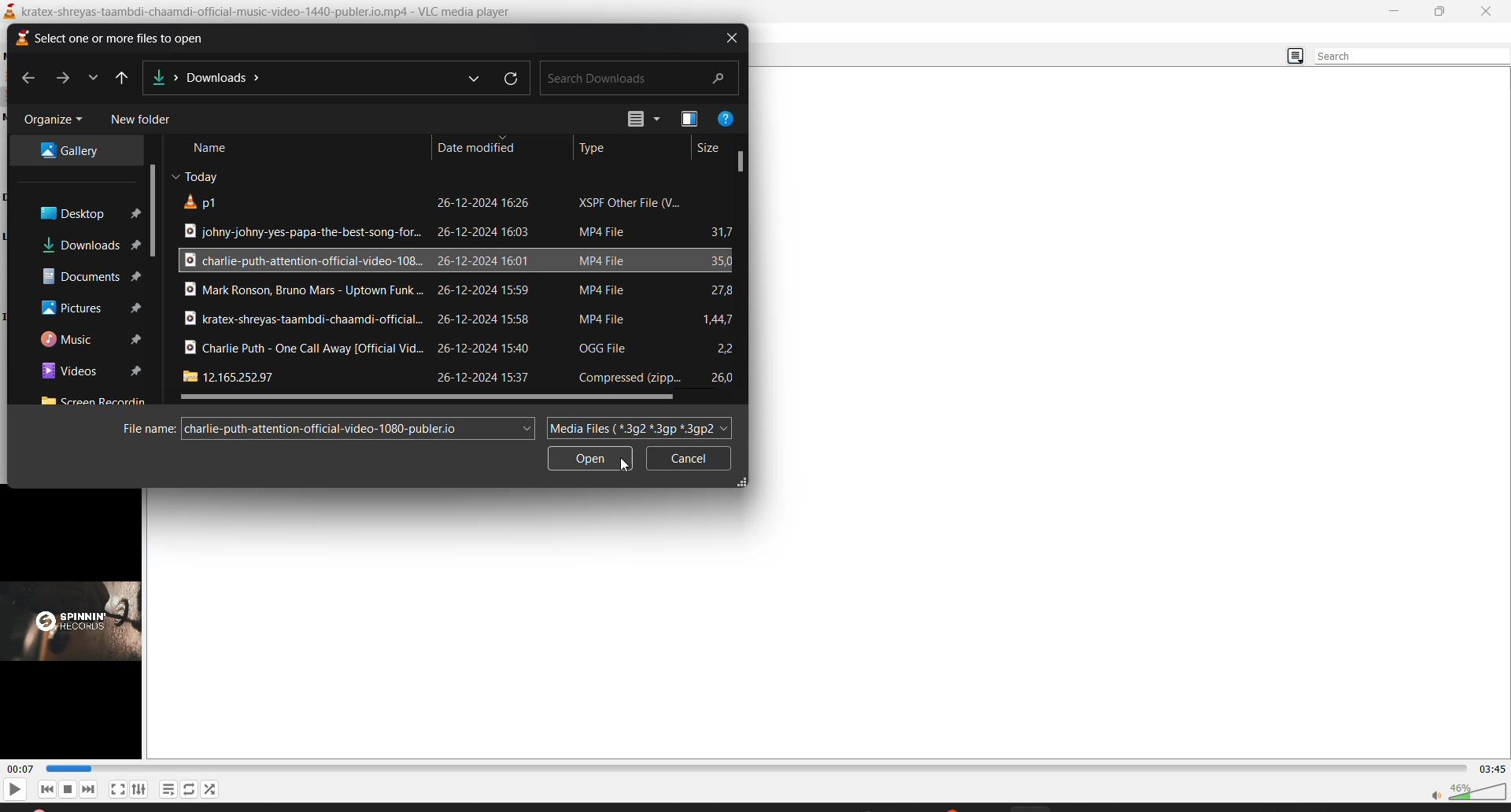 The image size is (1511, 812). I want to click on file type, so click(604, 288).